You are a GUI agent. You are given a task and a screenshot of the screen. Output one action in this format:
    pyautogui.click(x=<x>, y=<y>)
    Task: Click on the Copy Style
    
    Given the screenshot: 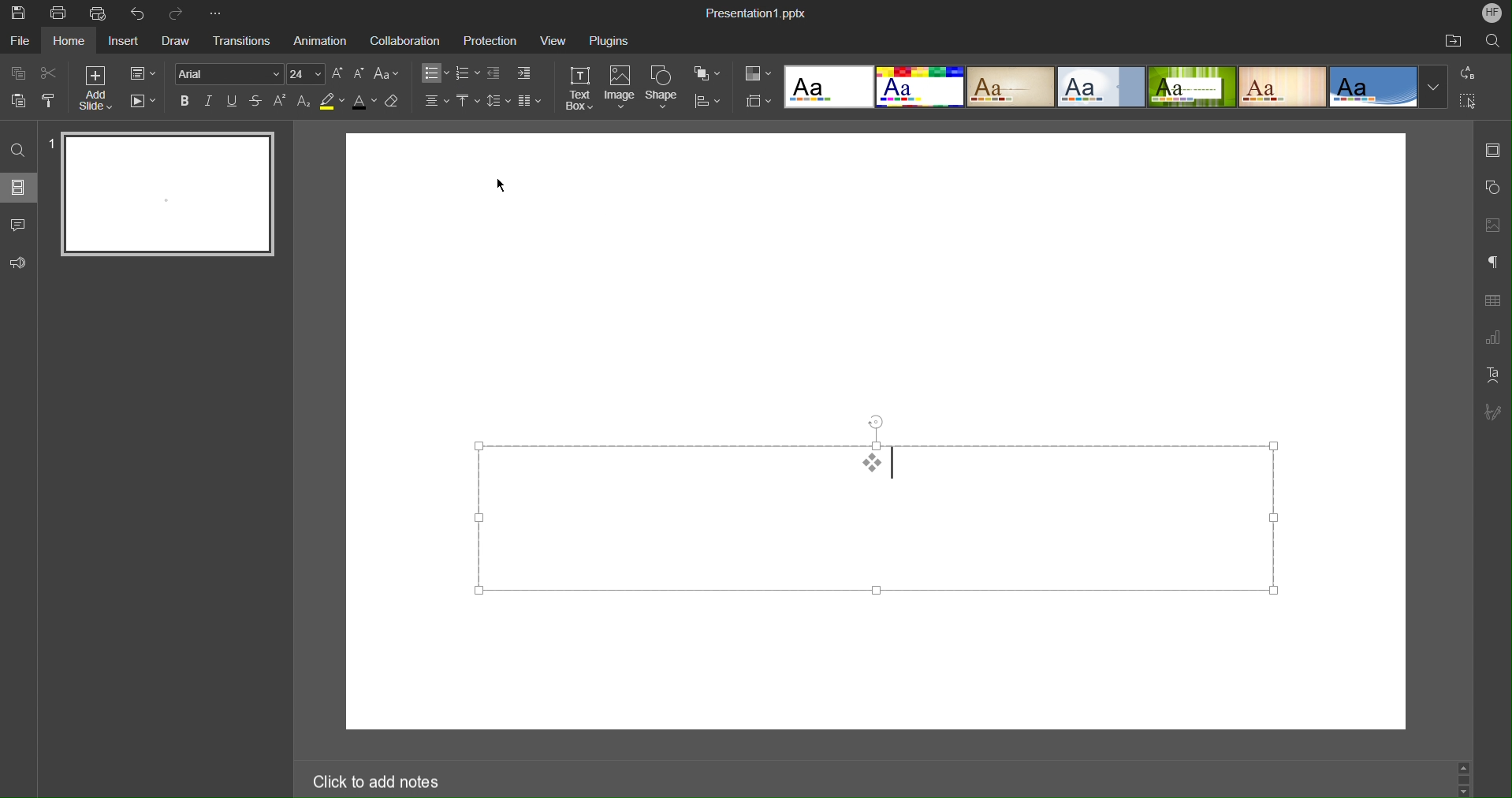 What is the action you would take?
    pyautogui.click(x=48, y=101)
    